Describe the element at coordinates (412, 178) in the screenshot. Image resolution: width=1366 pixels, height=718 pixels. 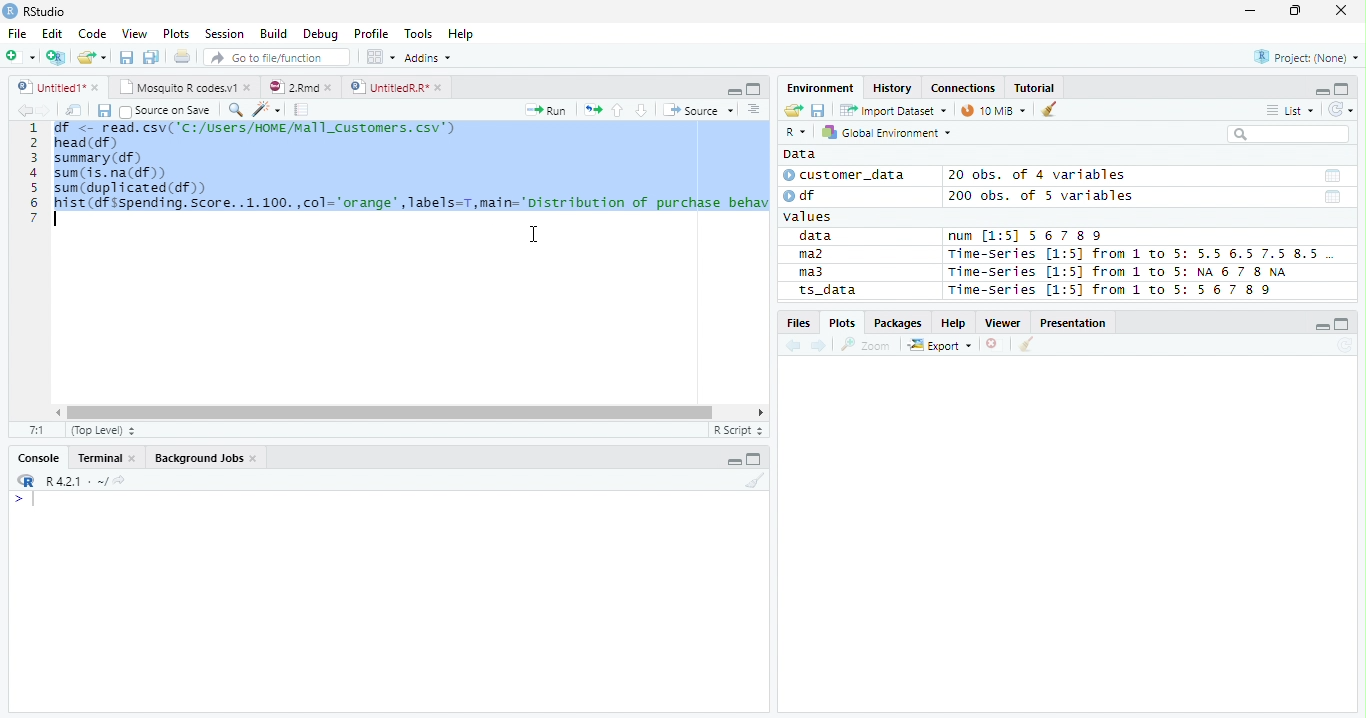
I see `SN <- read. csv( 'C1/USers/NINEMEl1_Custonrs. csv’)

head (df)

summary (df)

sum (is. na(df))

sum (duplicated (df)

hist (df sspending. Score. .1.100.,col="orange",Tabels=T,main="Distribution of purchase behav
|` at that location.